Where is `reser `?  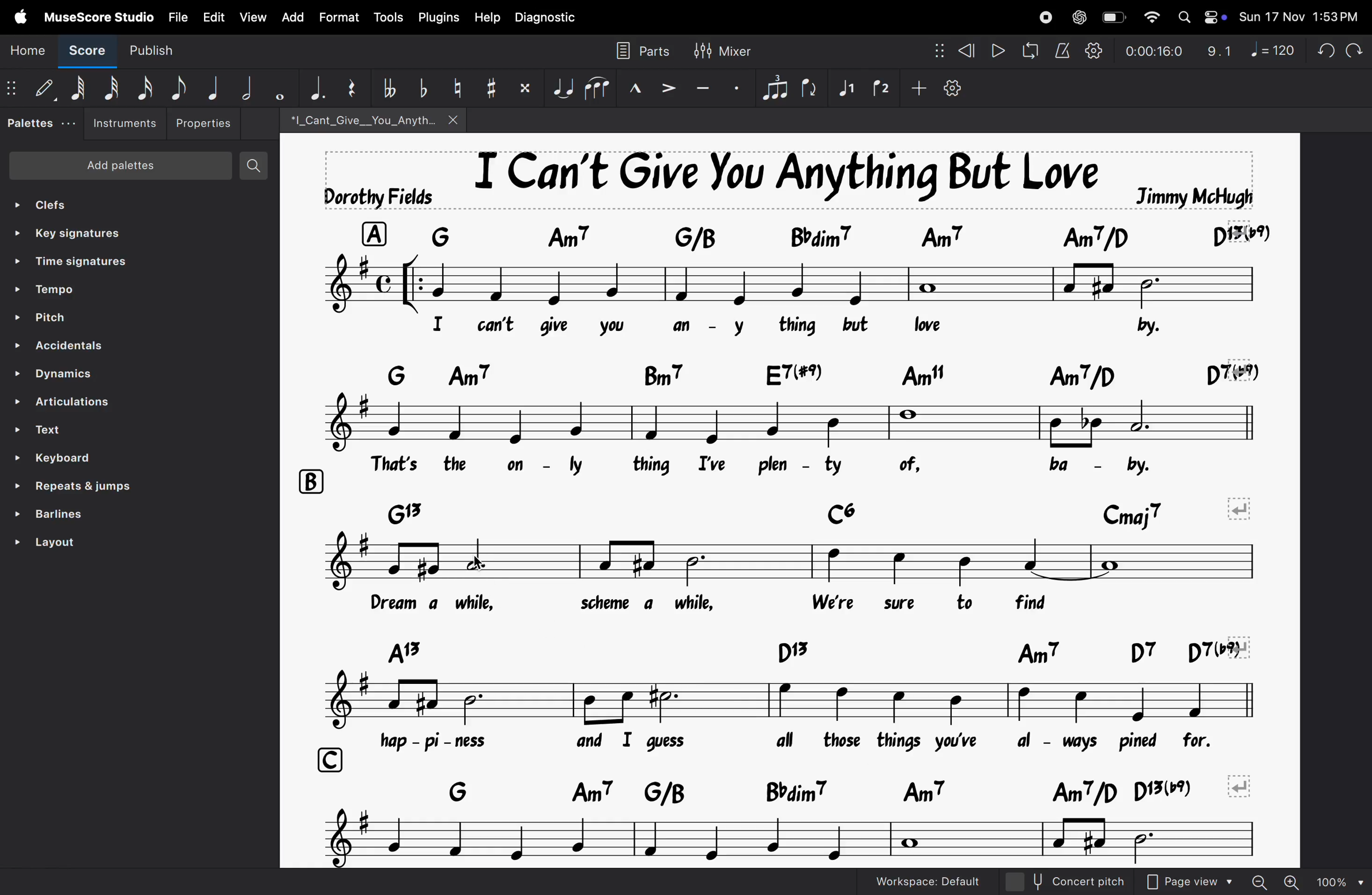
reser  is located at coordinates (353, 88).